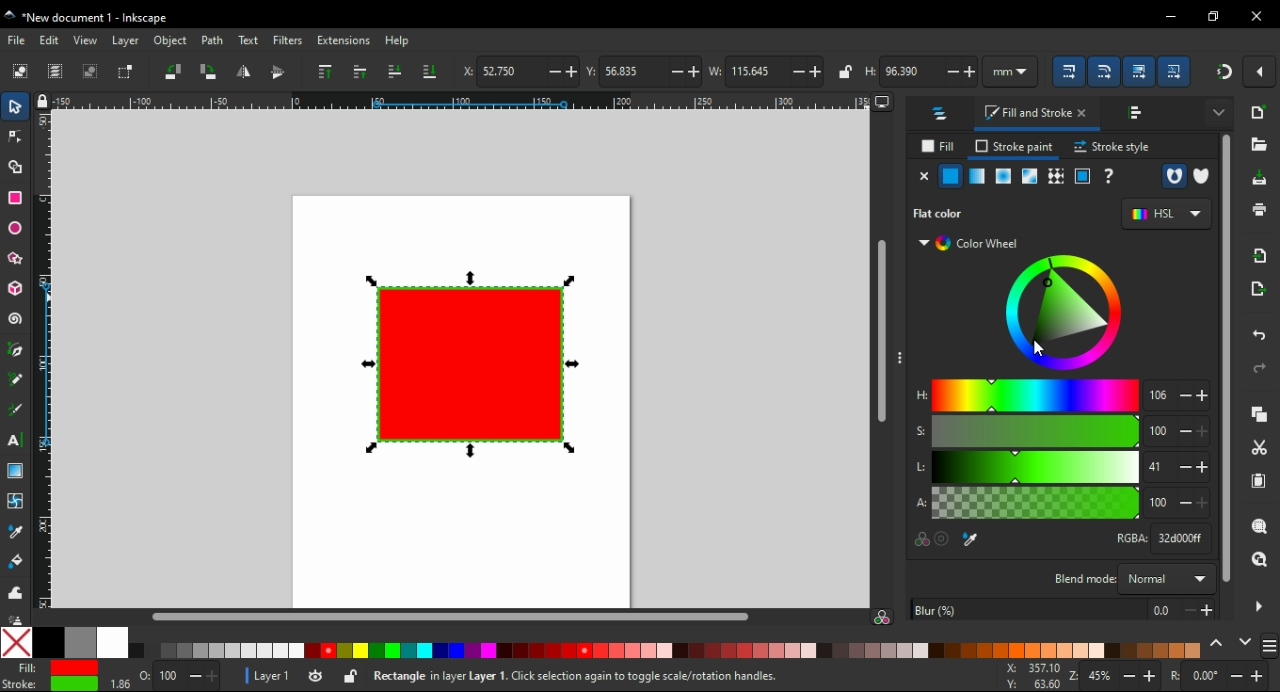  I want to click on blur, so click(1028, 609).